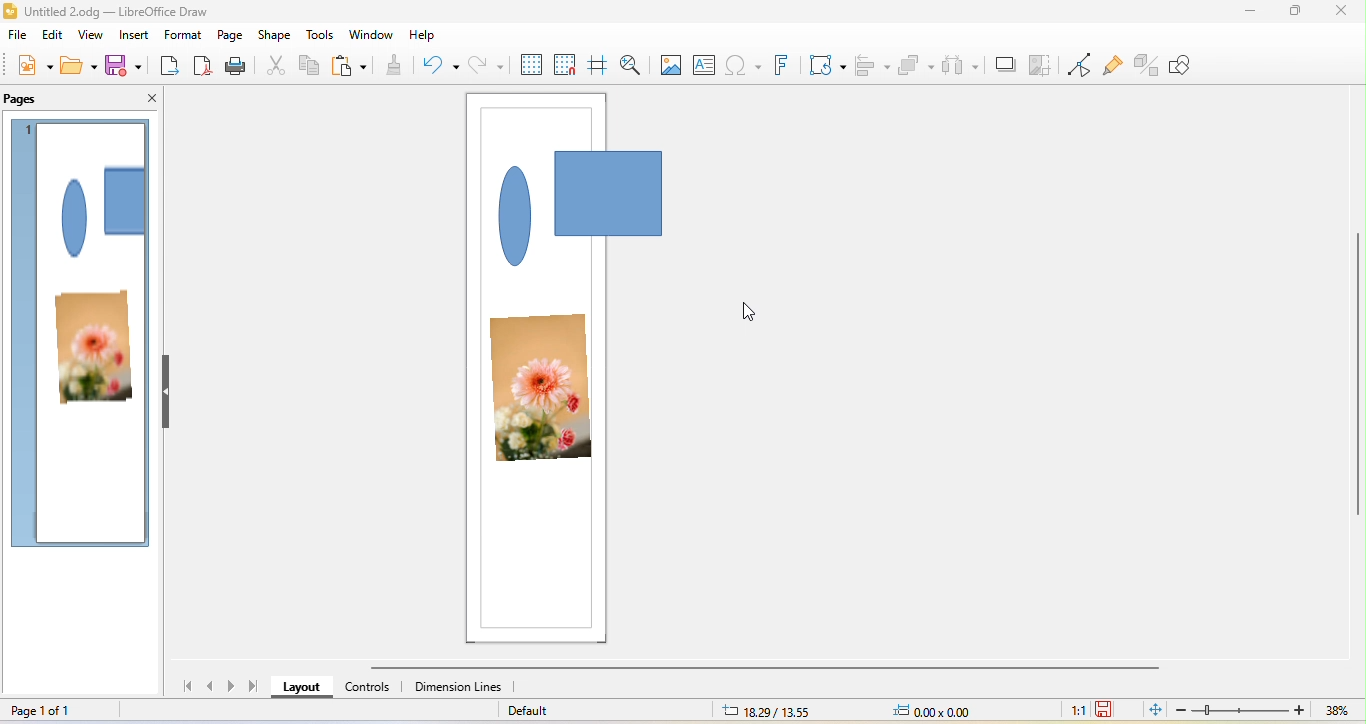 Image resolution: width=1366 pixels, height=724 pixels. I want to click on transformation, so click(829, 65).